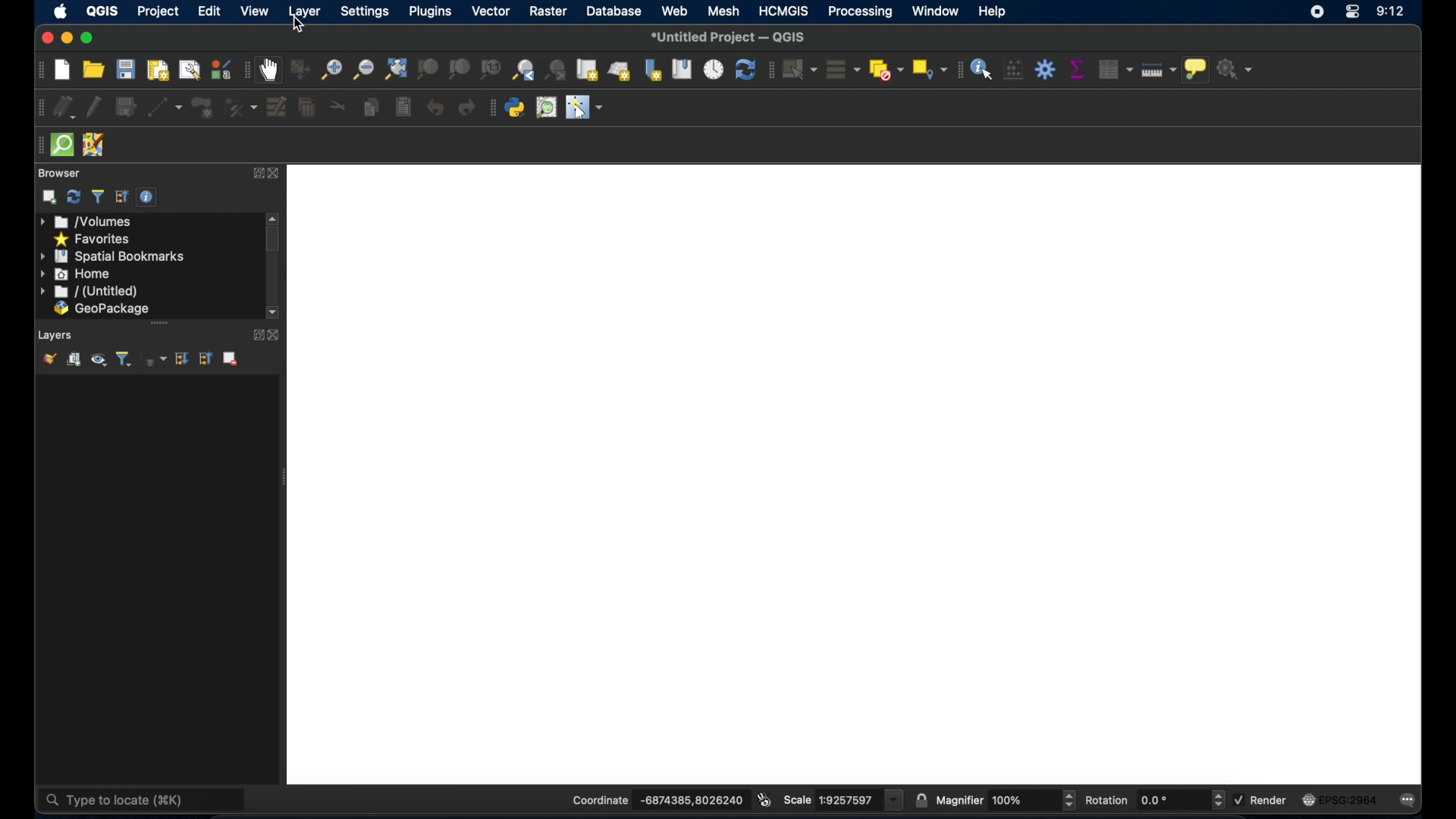 Image resolution: width=1456 pixels, height=819 pixels. What do you see at coordinates (998, 12) in the screenshot?
I see `help` at bounding box center [998, 12].